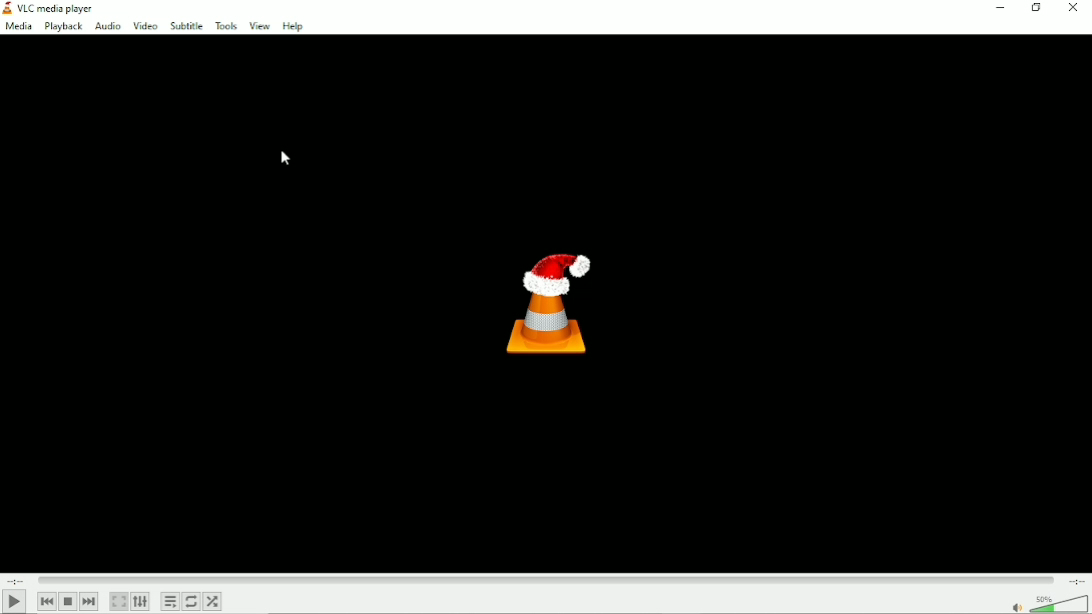 The image size is (1092, 614). Describe the element at coordinates (1038, 9) in the screenshot. I see `Restore down` at that location.